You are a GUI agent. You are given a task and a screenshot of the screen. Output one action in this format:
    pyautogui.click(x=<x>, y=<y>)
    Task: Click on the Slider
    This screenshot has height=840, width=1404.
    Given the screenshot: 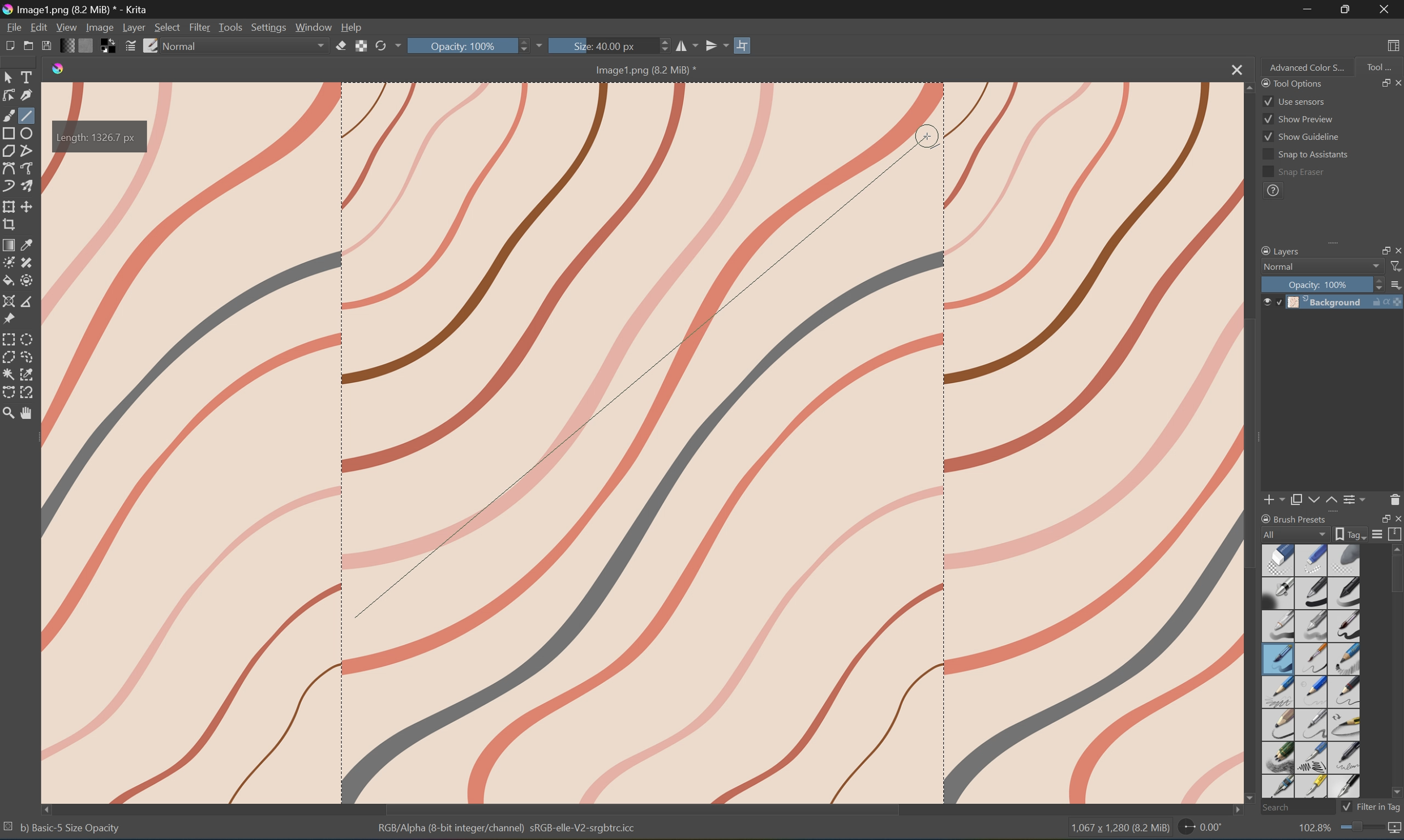 What is the action you would take?
    pyautogui.click(x=526, y=46)
    